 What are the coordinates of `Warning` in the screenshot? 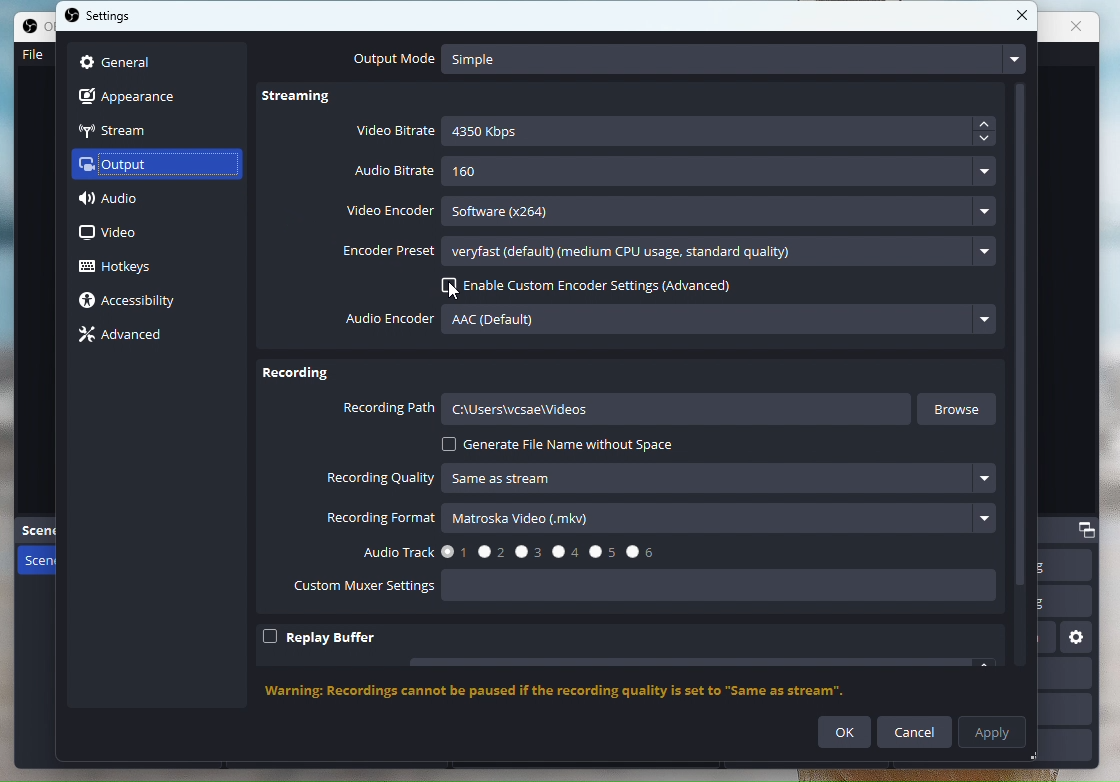 It's located at (576, 692).